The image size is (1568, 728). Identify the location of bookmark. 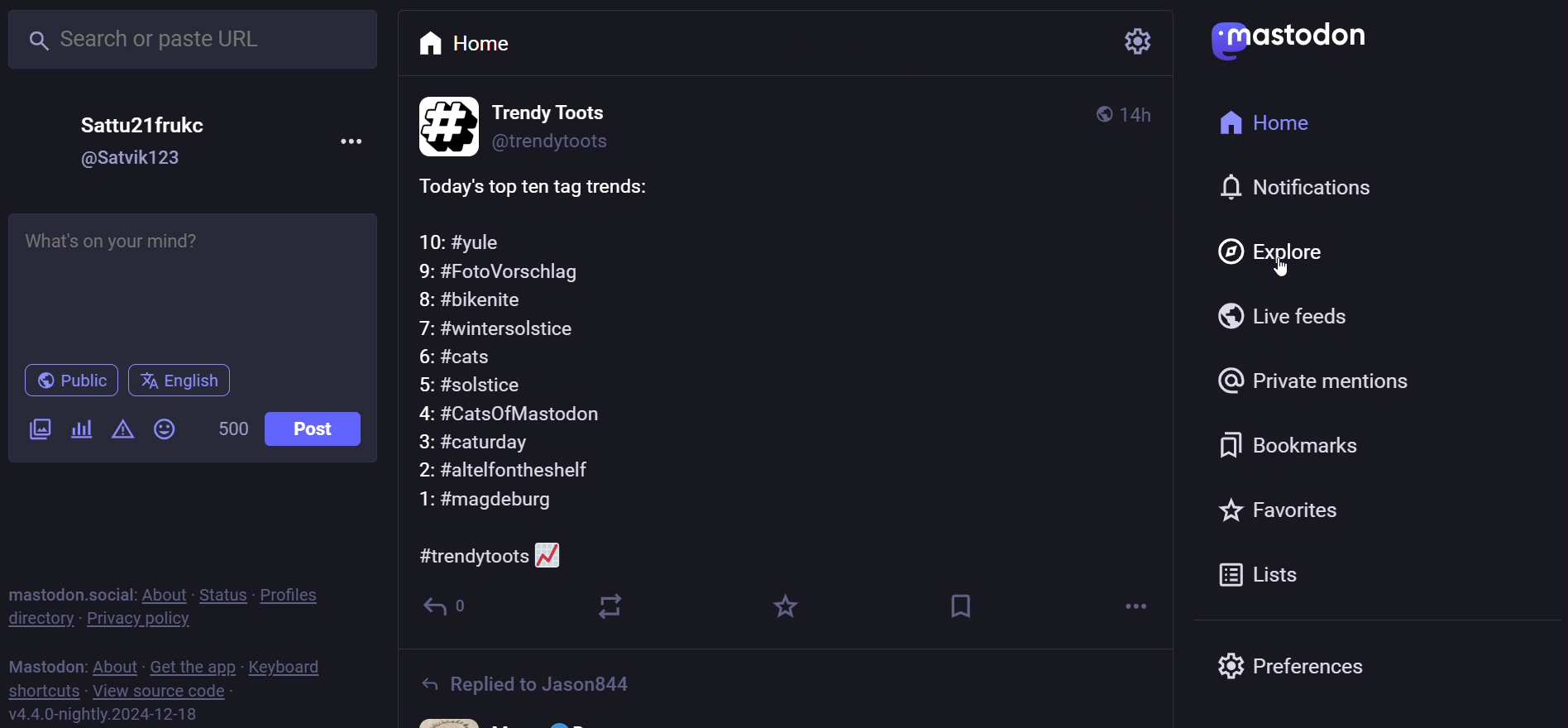
(964, 604).